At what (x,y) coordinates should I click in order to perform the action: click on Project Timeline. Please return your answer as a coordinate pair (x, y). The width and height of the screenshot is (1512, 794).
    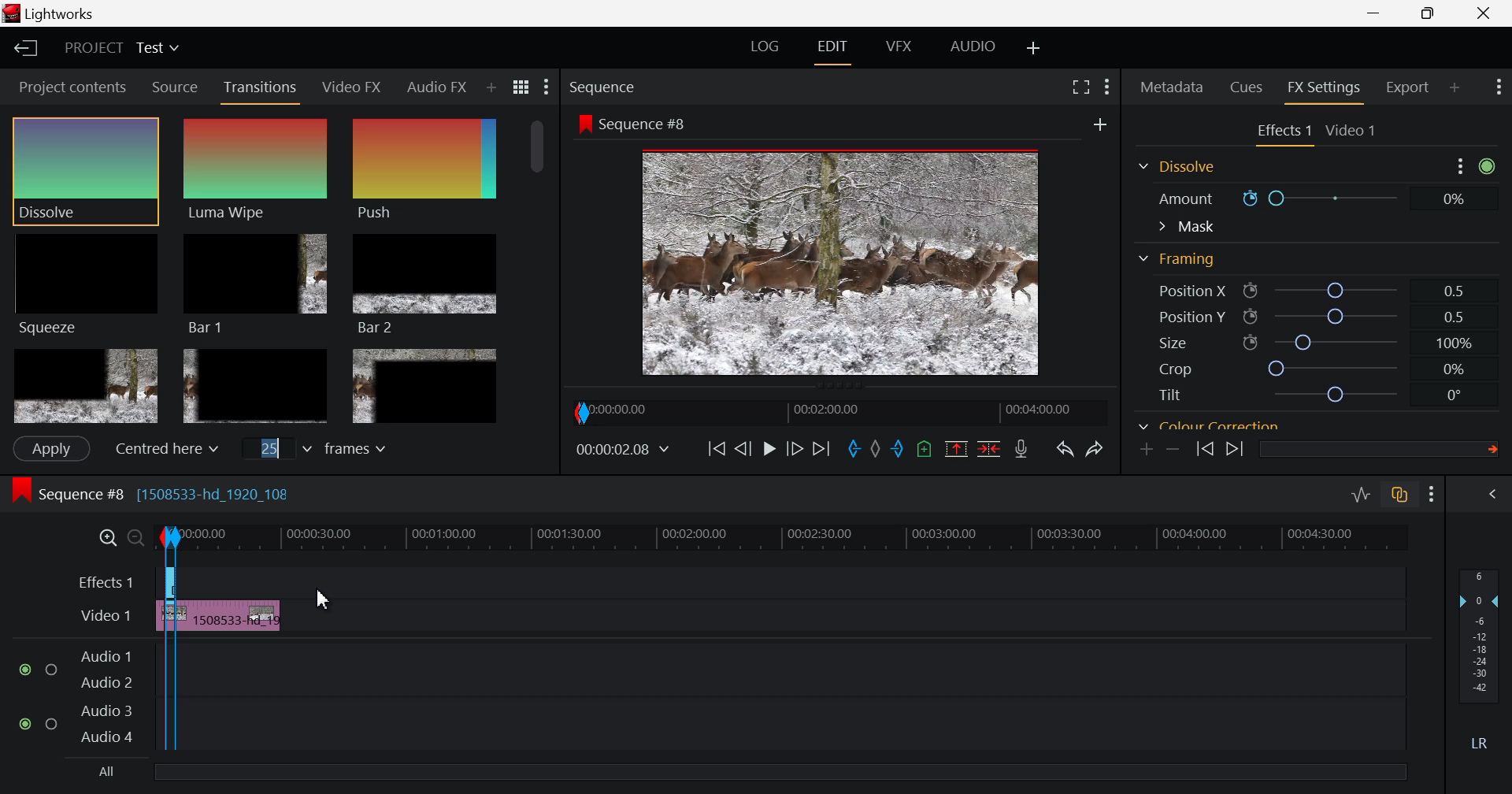
    Looking at the image, I should click on (794, 537).